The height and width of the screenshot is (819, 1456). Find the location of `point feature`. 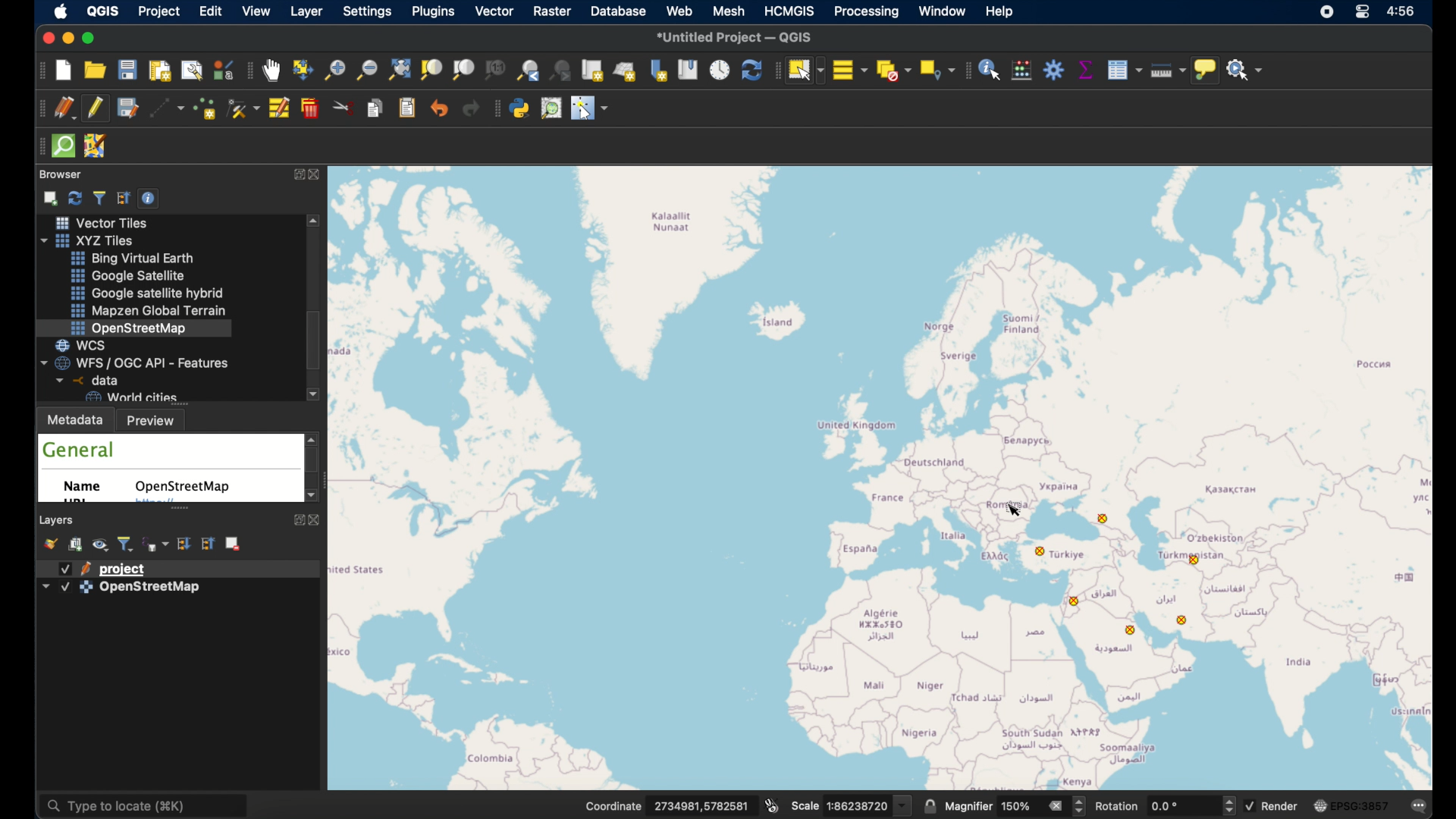

point feature is located at coordinates (1182, 619).